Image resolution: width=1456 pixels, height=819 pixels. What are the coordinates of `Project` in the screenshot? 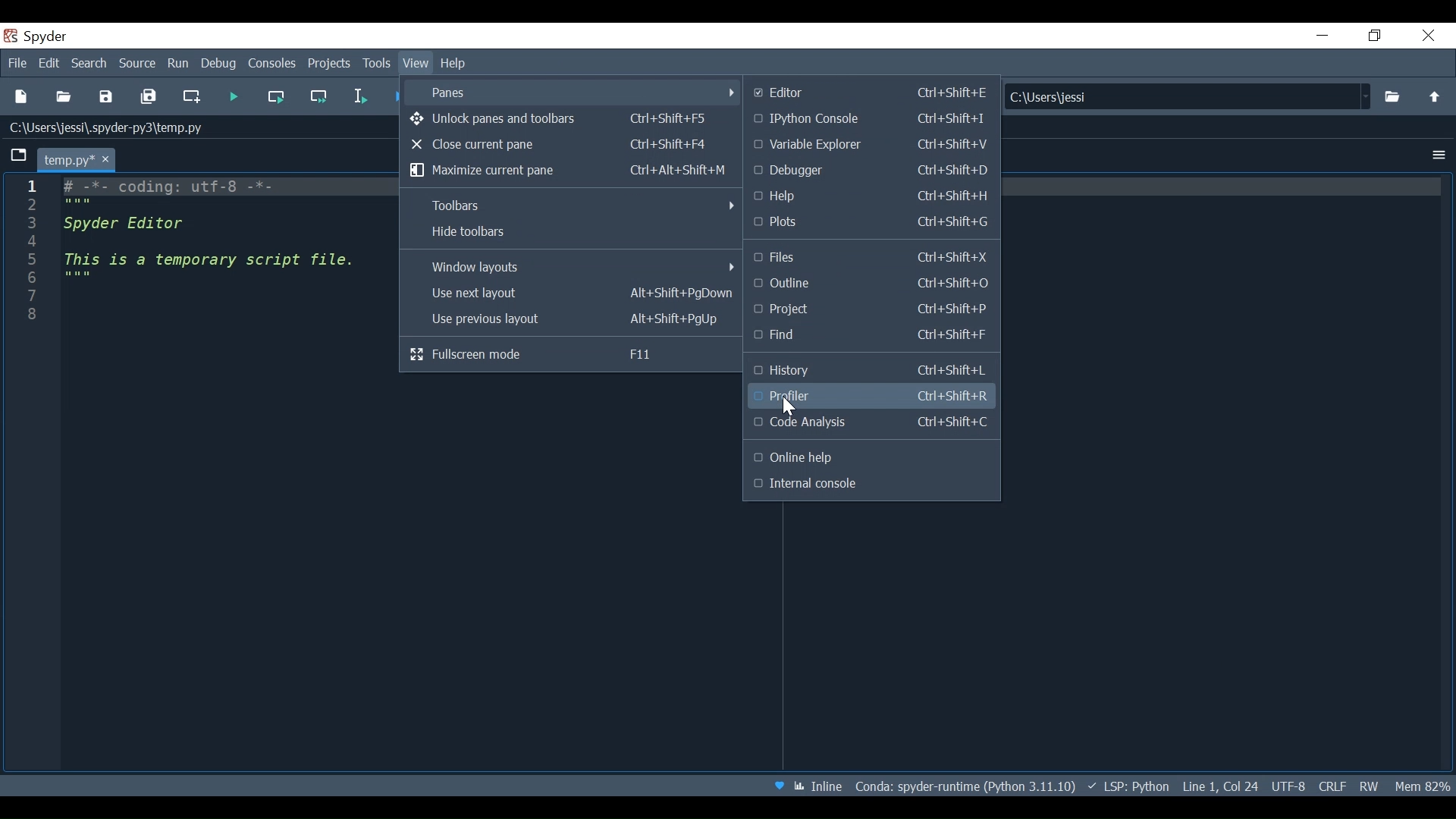 It's located at (873, 309).